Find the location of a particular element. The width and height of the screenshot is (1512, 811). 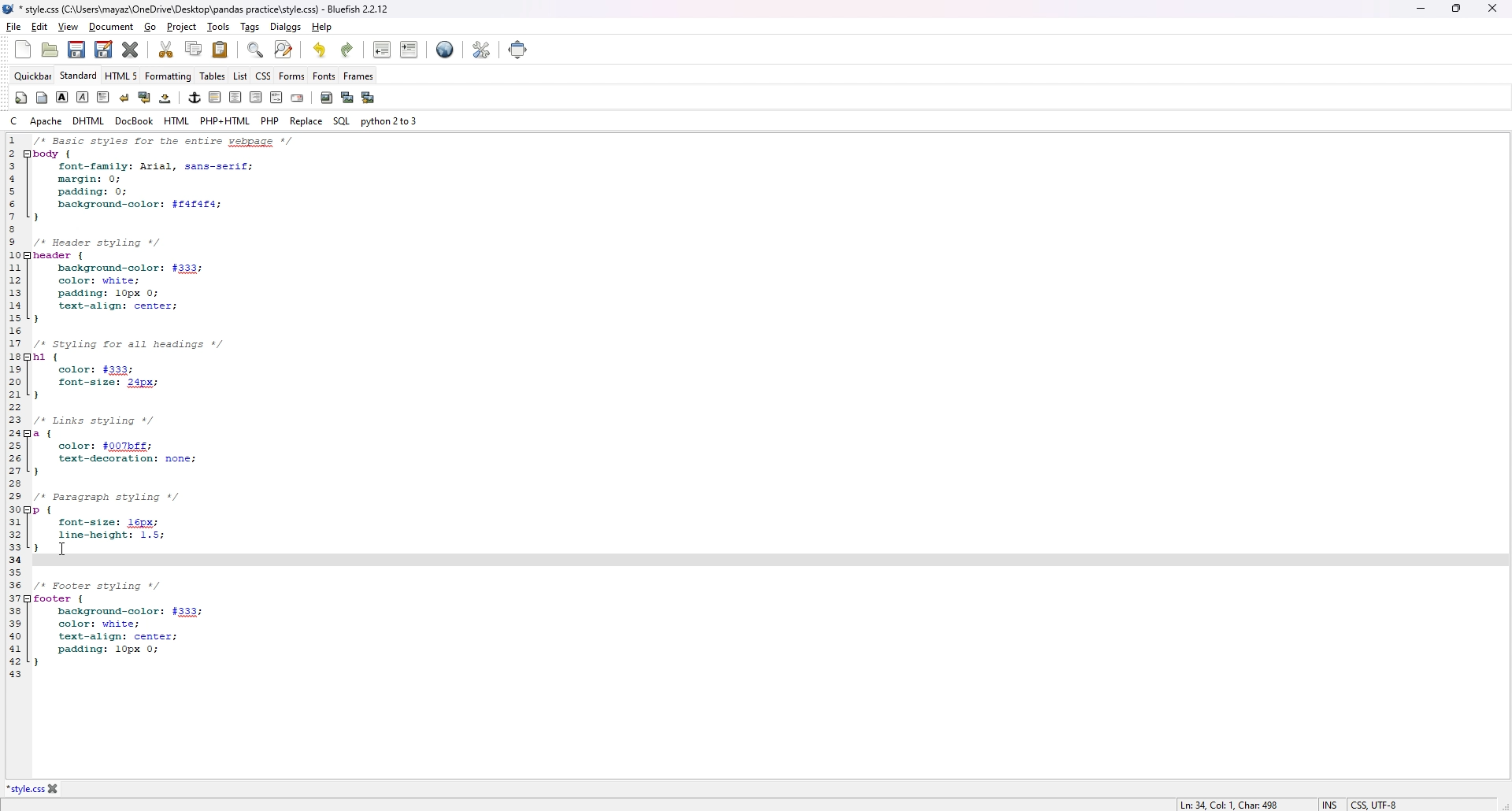

email is located at coordinates (299, 98).